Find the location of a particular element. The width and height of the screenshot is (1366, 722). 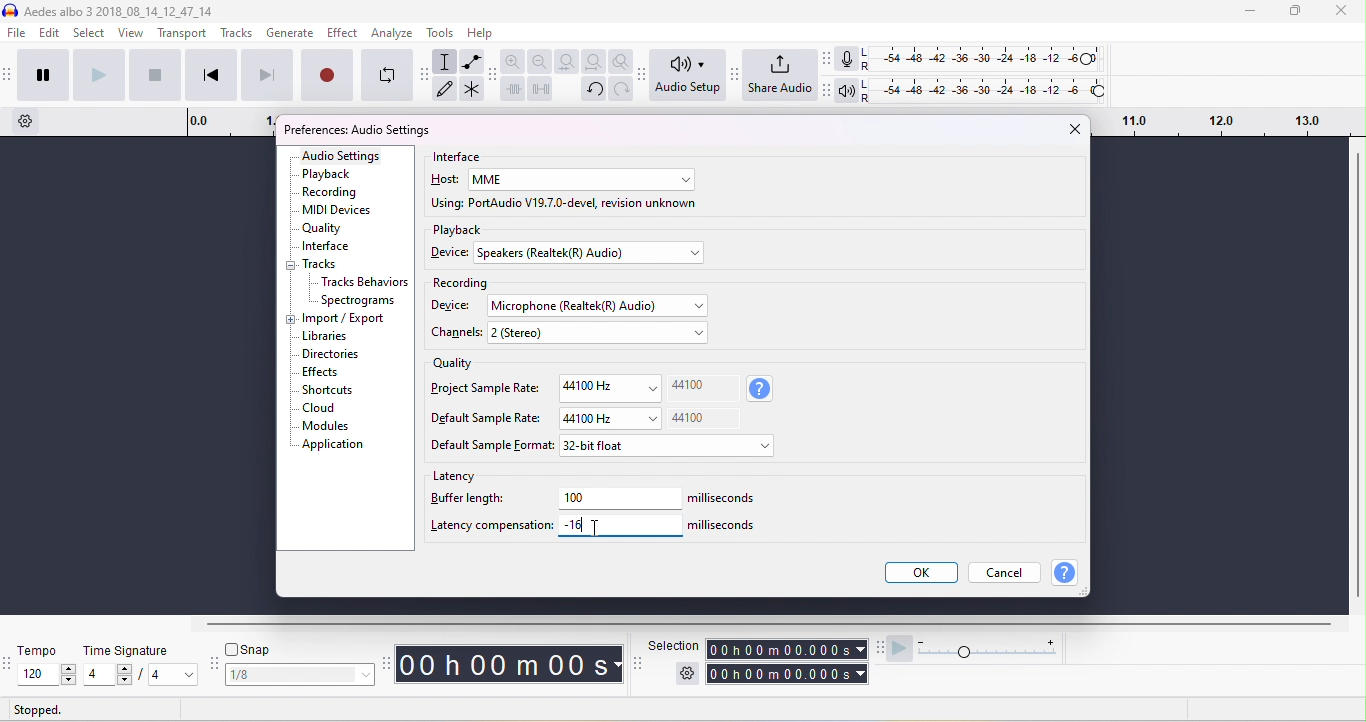

using port audio v19.7.0 is located at coordinates (565, 205).